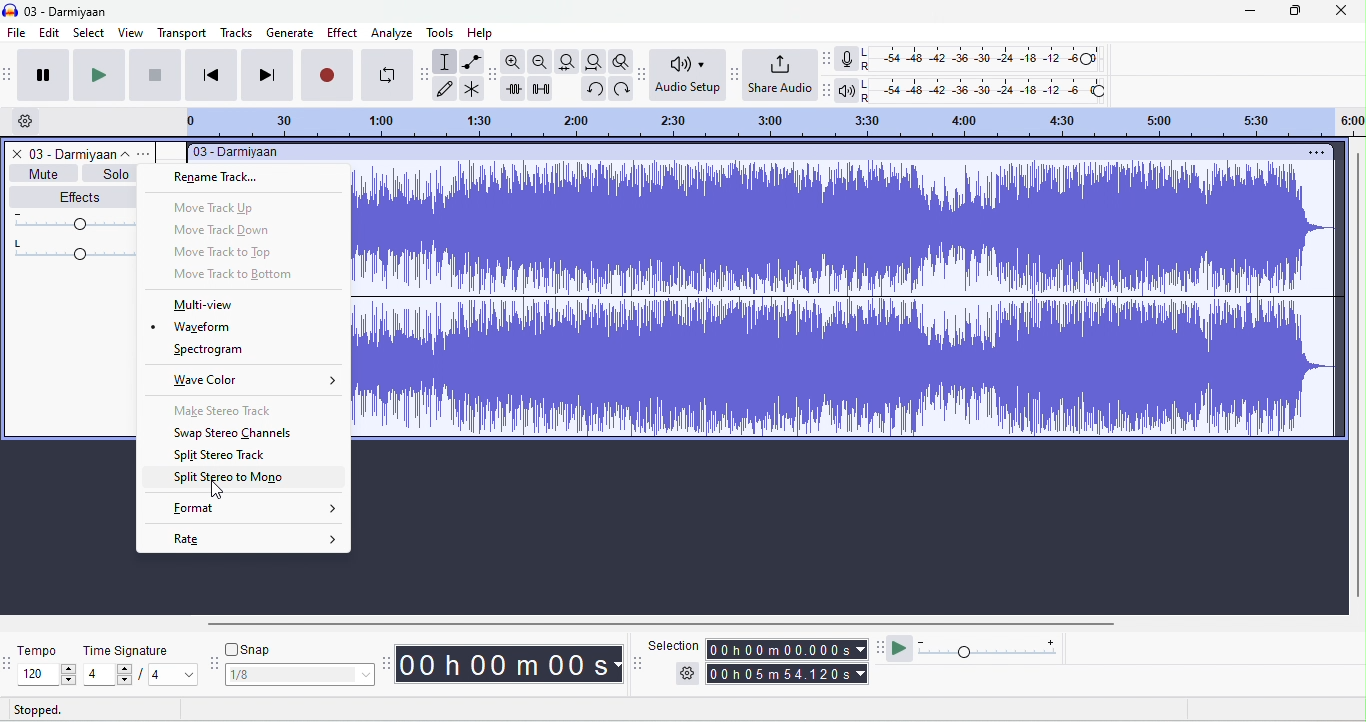  I want to click on audio set up tool bar, so click(642, 73).